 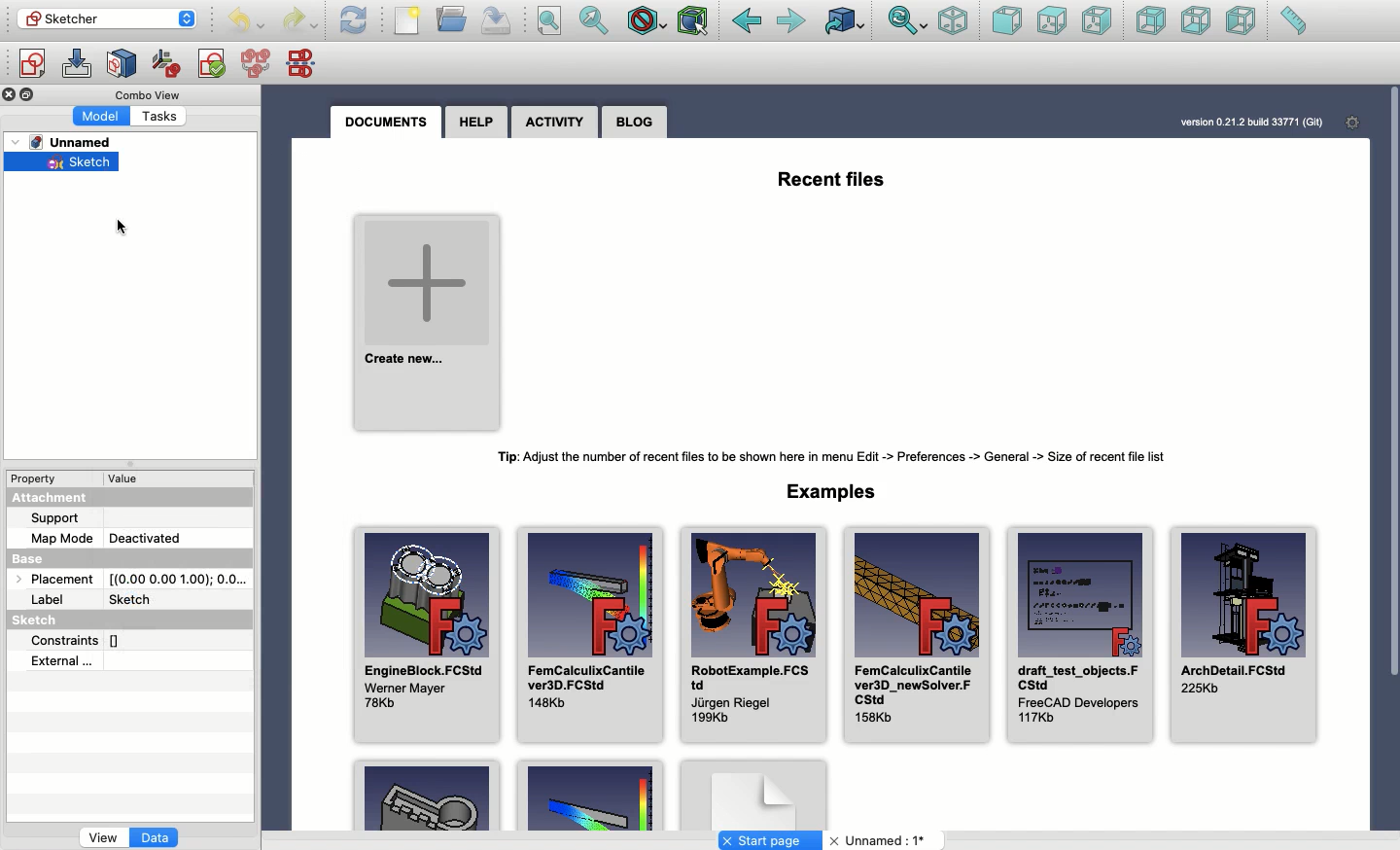 I want to click on Data, so click(x=157, y=839).